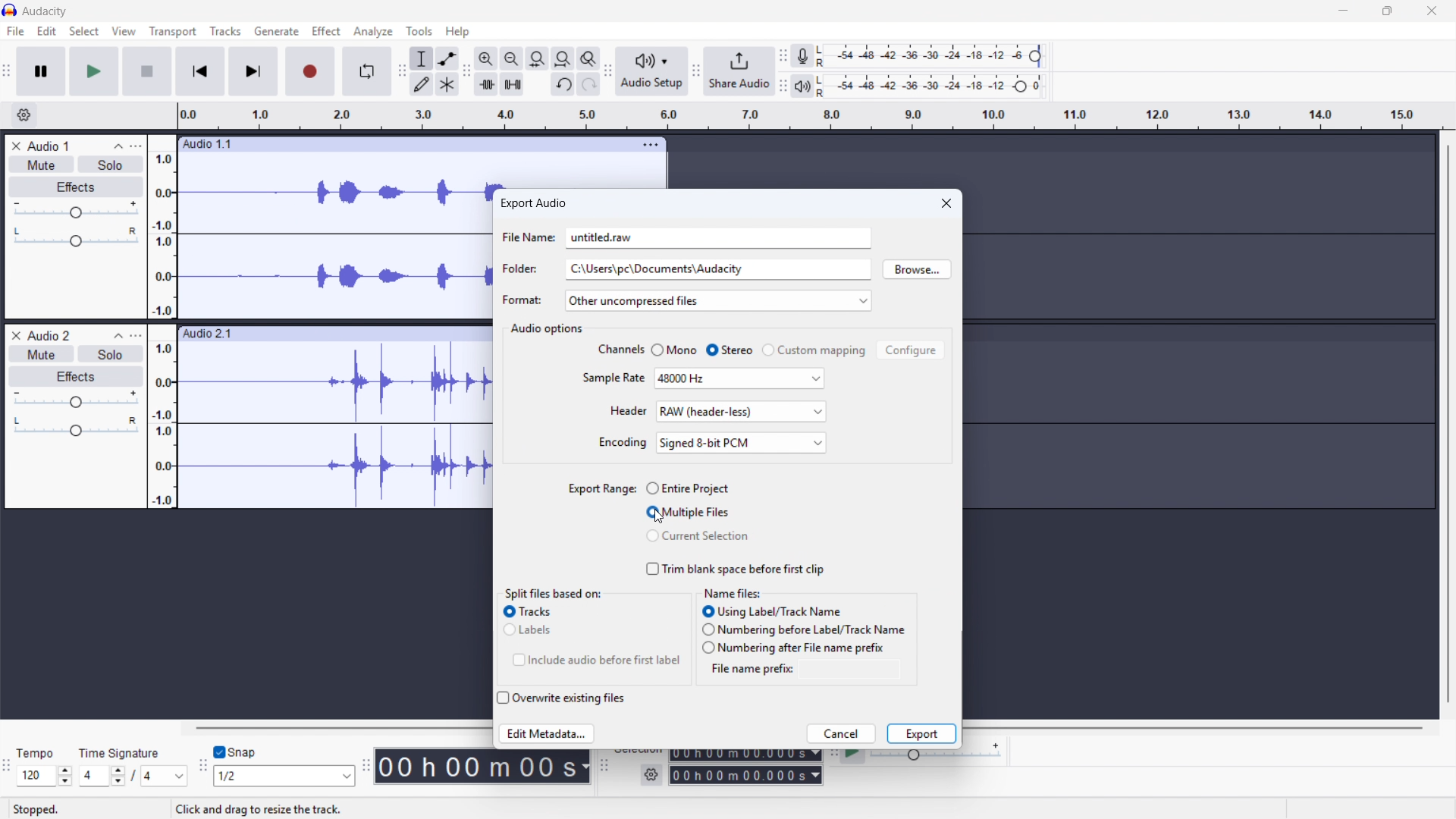 The height and width of the screenshot is (819, 1456). I want to click on file , so click(16, 32).